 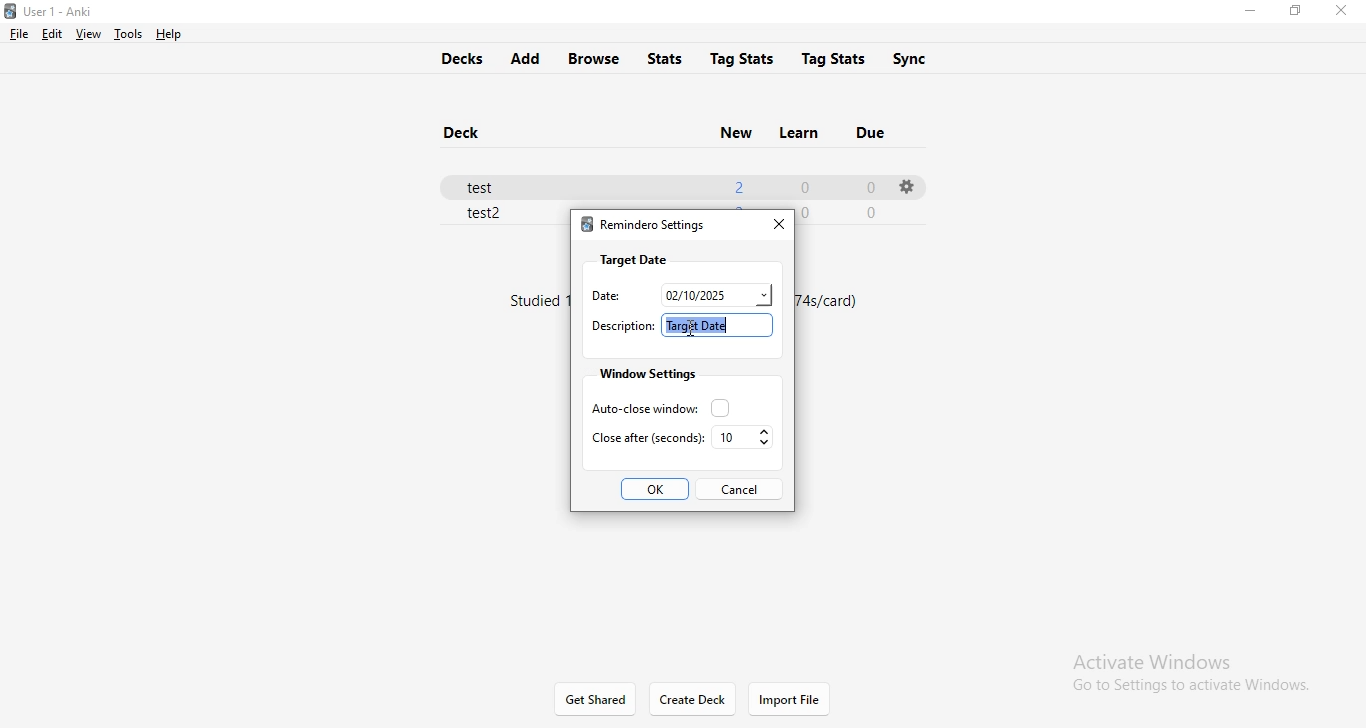 What do you see at coordinates (539, 301) in the screenshot?
I see `text` at bounding box center [539, 301].